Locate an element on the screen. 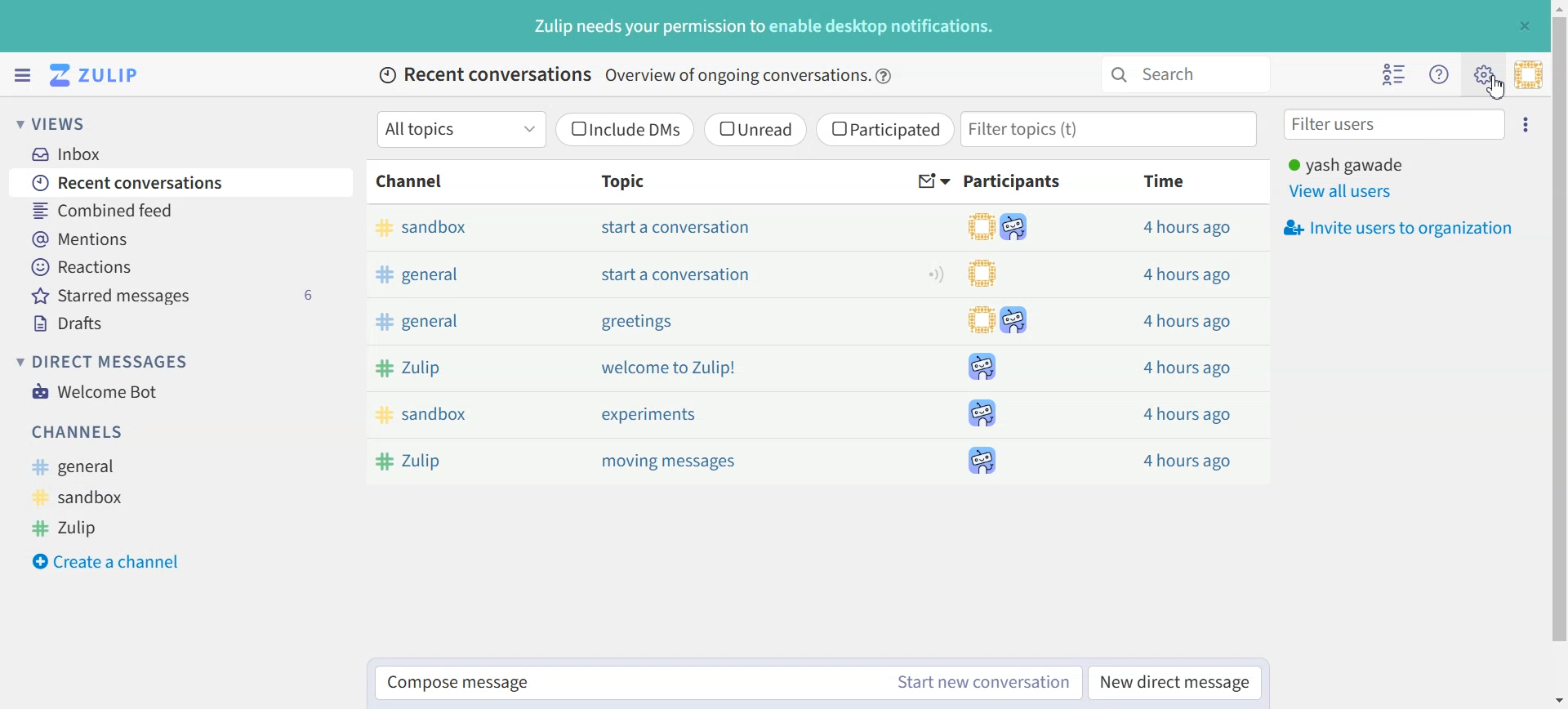 The image size is (1568, 709). #Sandbox is located at coordinates (453, 414).